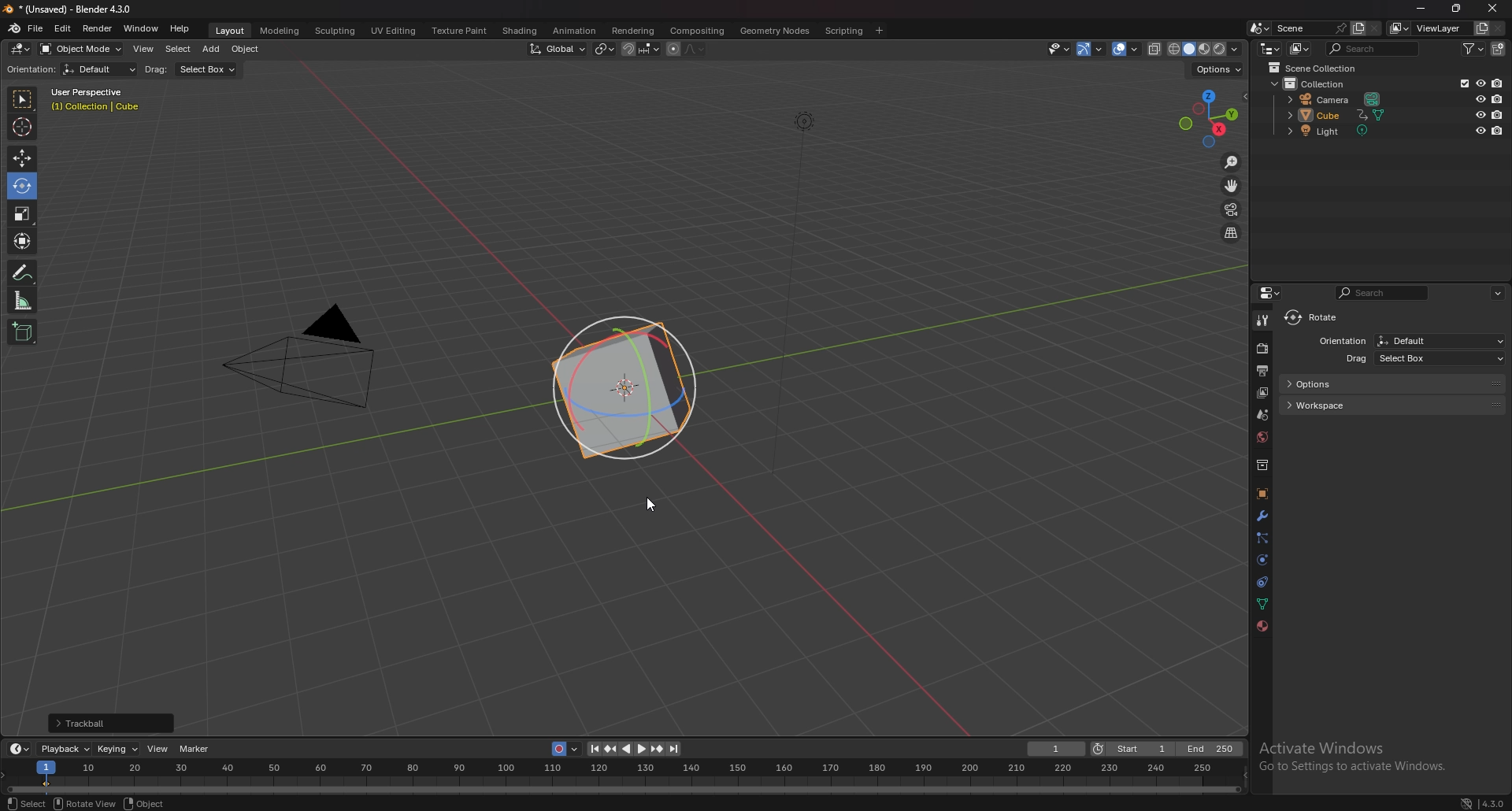  Describe the element at coordinates (1269, 49) in the screenshot. I see `editor type` at that location.